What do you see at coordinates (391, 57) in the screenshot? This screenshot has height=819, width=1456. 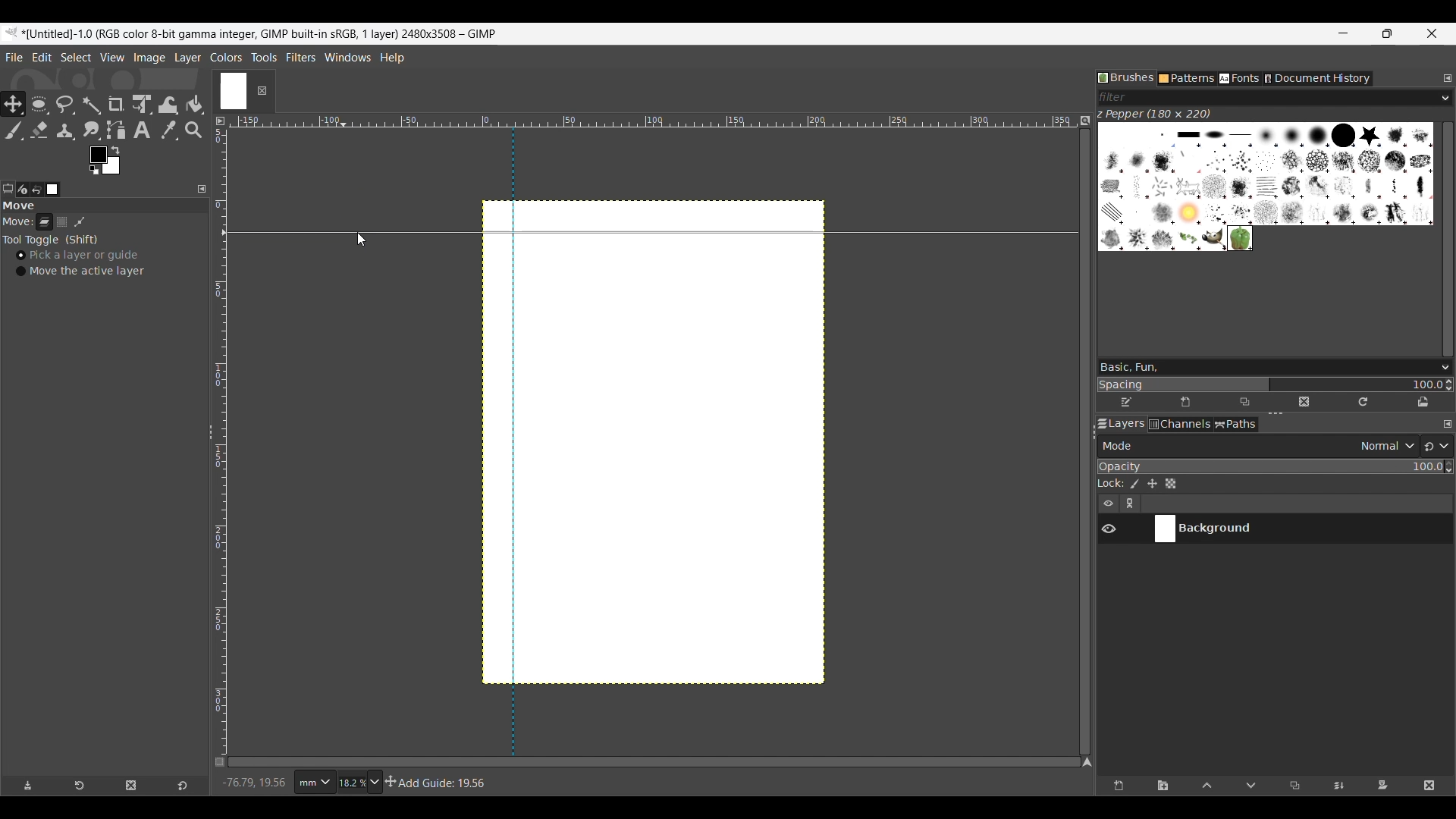 I see `Help menu` at bounding box center [391, 57].